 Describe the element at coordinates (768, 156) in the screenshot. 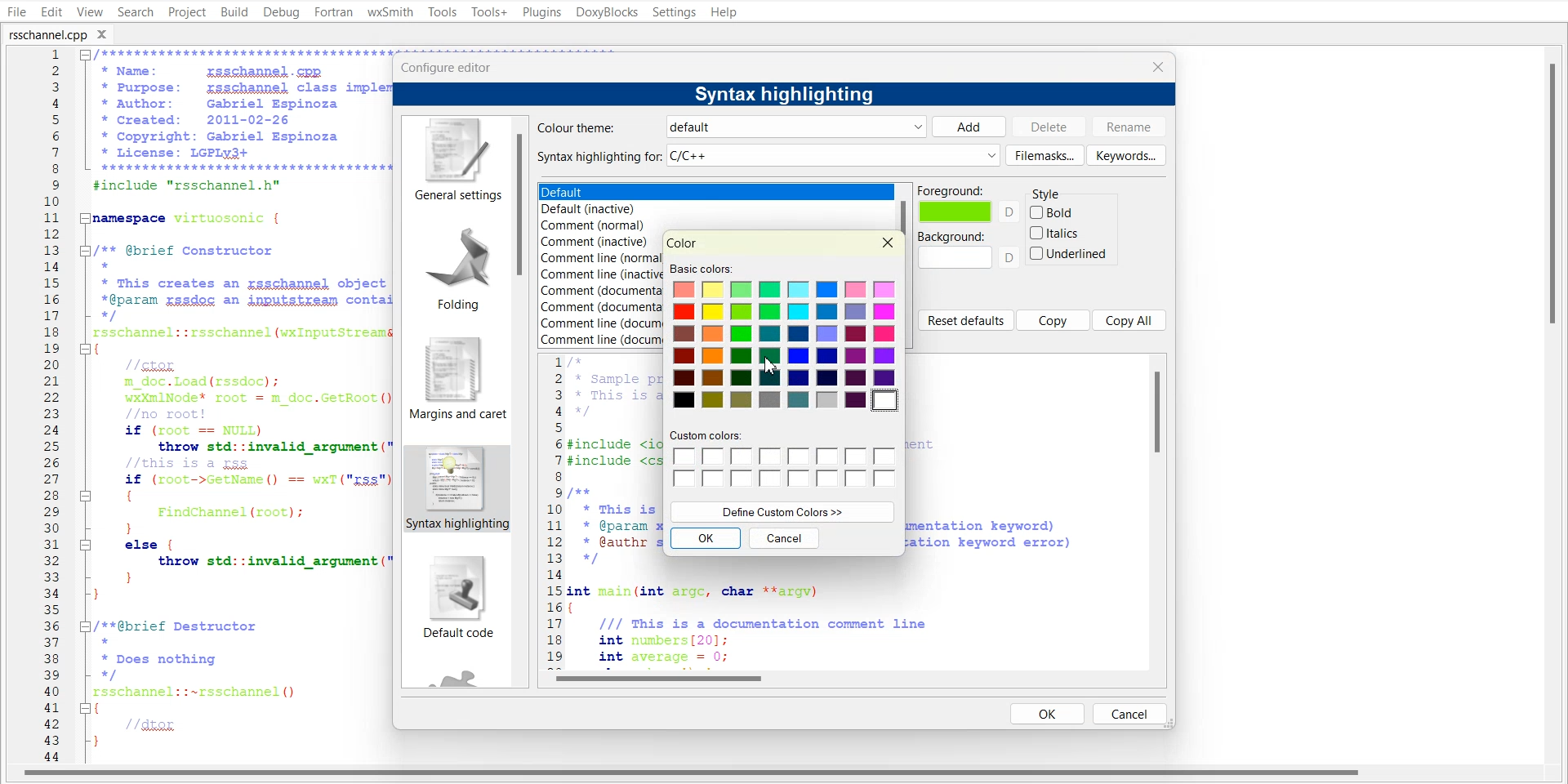

I see `Syntax highlighting for` at that location.